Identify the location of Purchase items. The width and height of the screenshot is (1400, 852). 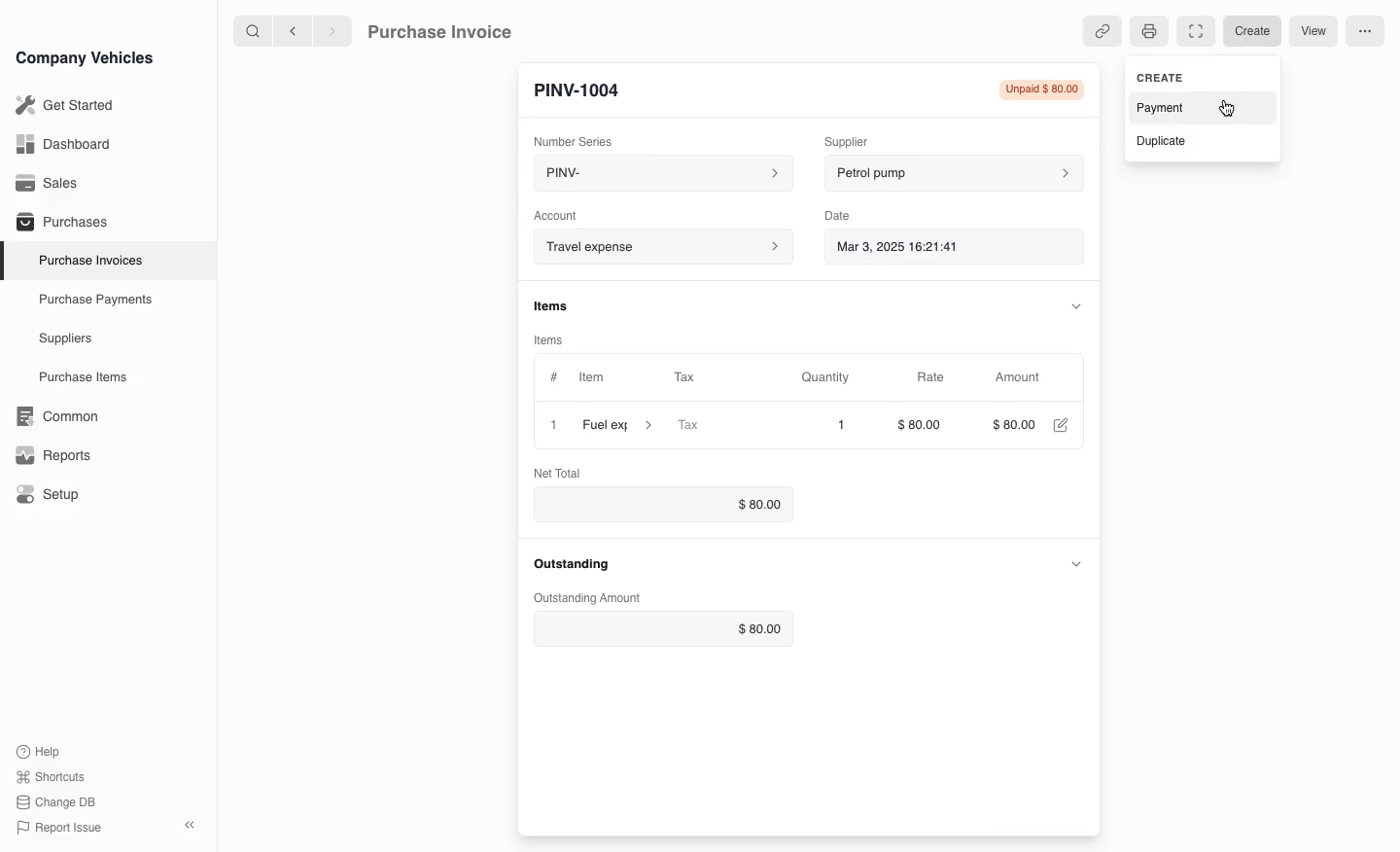
(76, 377).